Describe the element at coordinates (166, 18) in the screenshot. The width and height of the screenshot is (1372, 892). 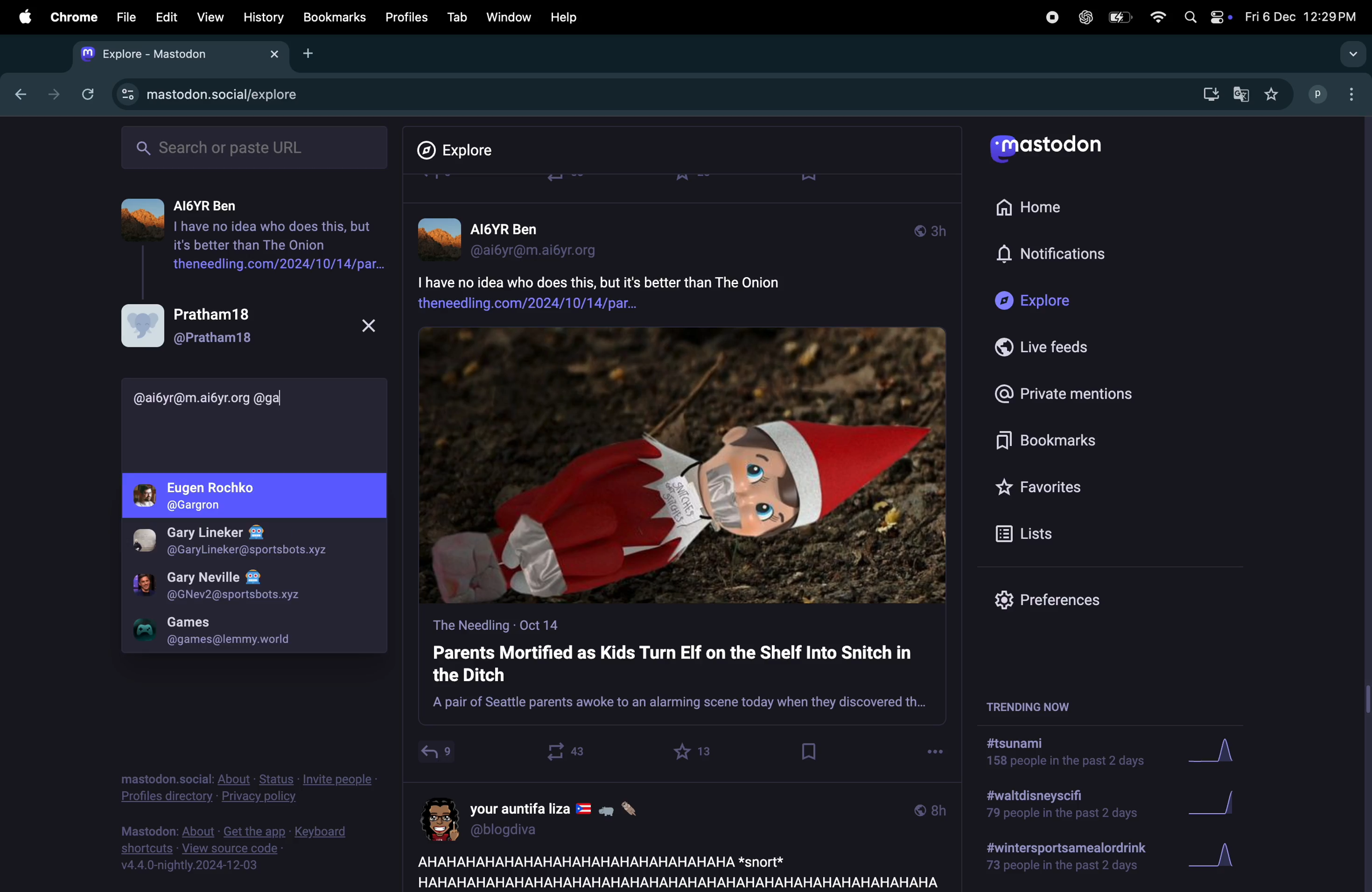
I see `edit` at that location.